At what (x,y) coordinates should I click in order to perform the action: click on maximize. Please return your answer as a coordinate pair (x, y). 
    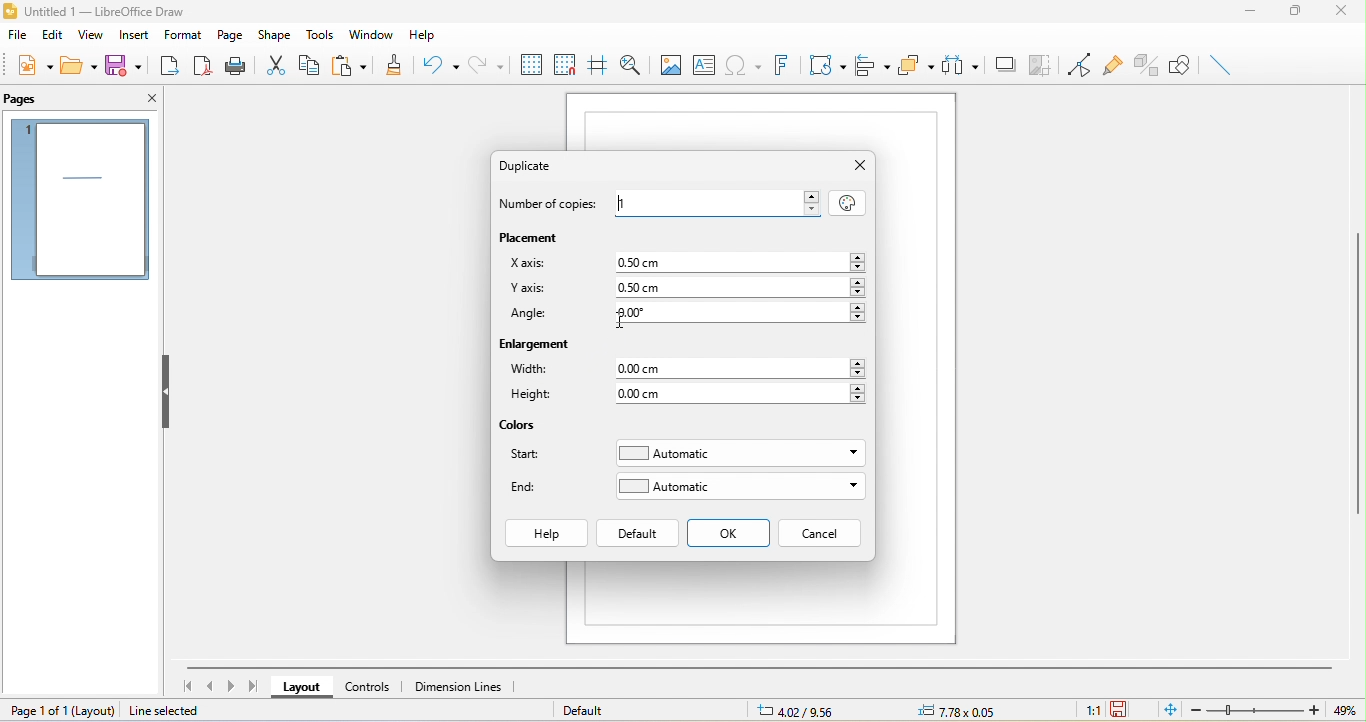
    Looking at the image, I should click on (1297, 14).